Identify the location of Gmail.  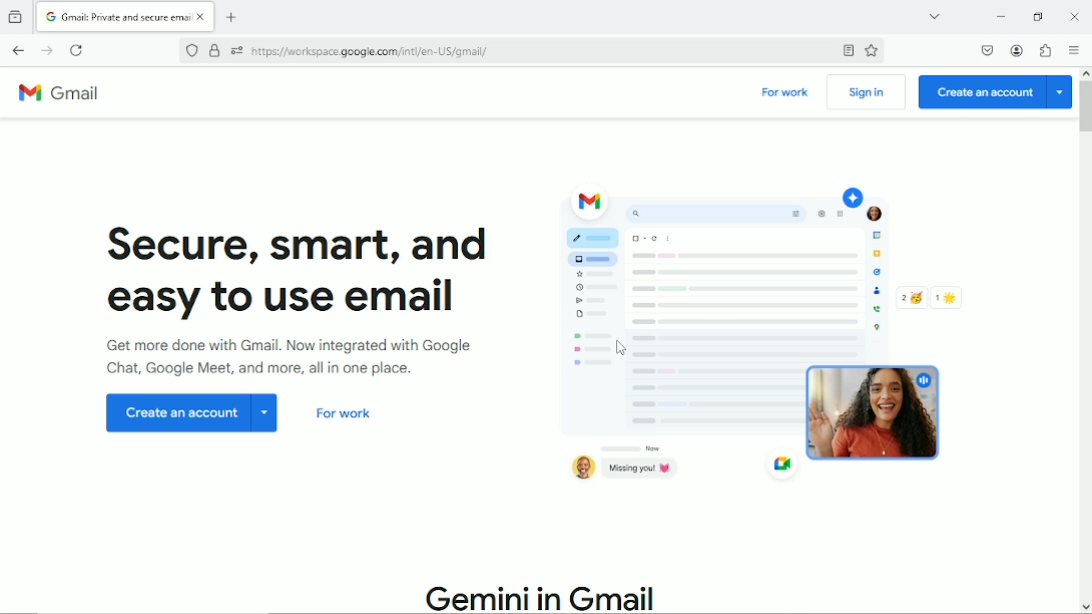
(66, 95).